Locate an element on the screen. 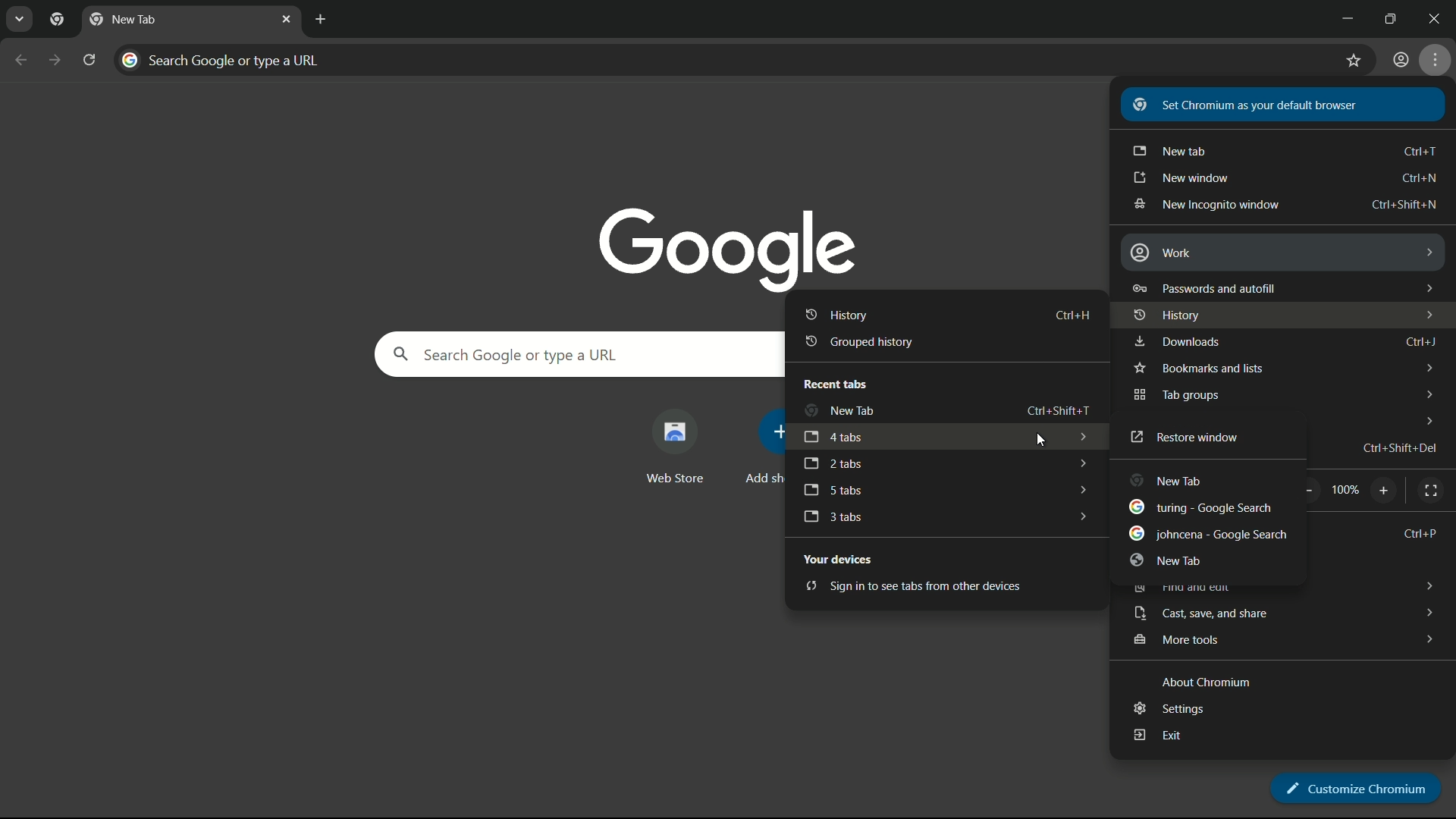 Image resolution: width=1456 pixels, height=819 pixels. maximize or restore is located at coordinates (1395, 17).